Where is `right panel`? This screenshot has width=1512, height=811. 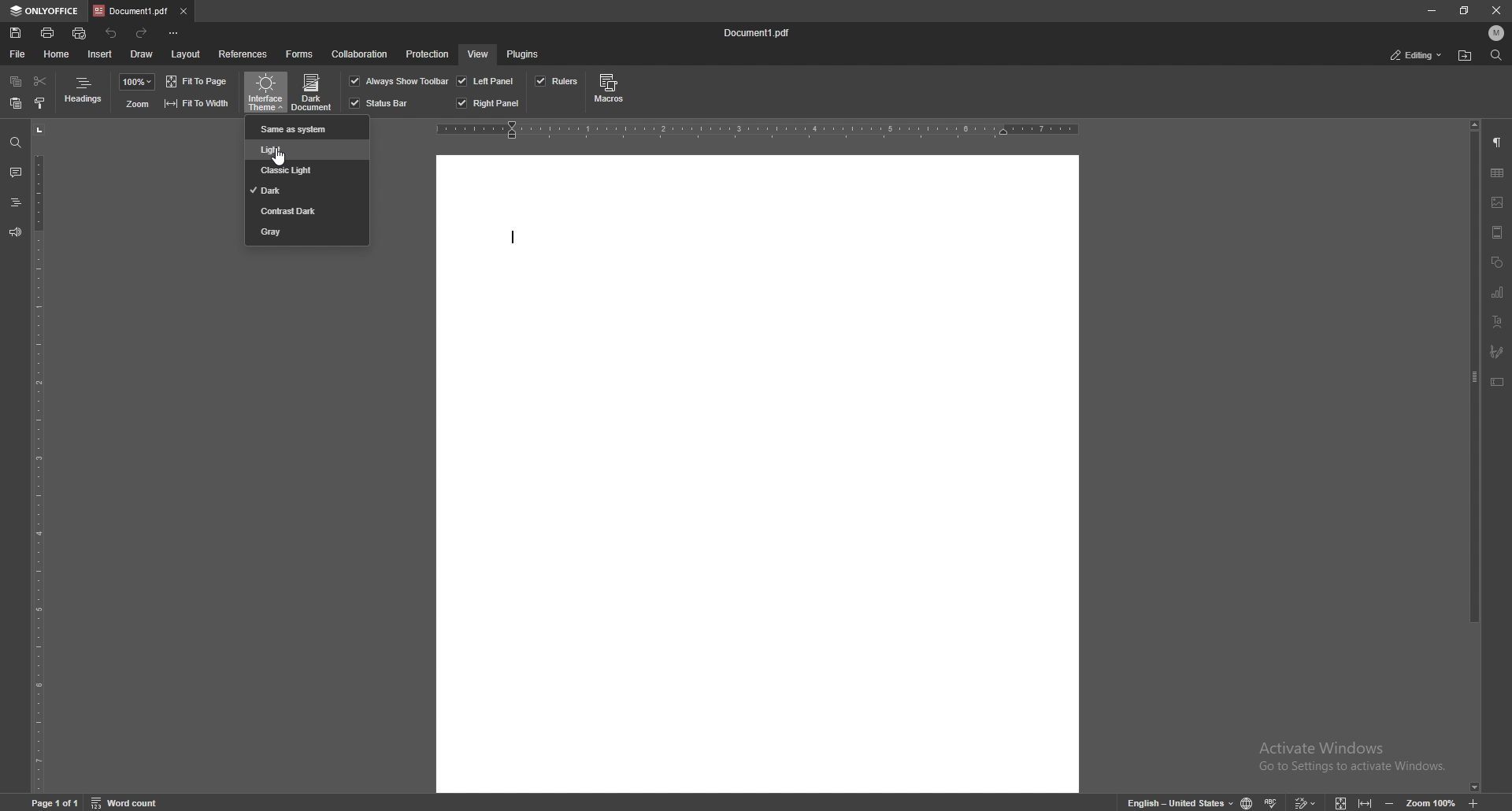 right panel is located at coordinates (490, 103).